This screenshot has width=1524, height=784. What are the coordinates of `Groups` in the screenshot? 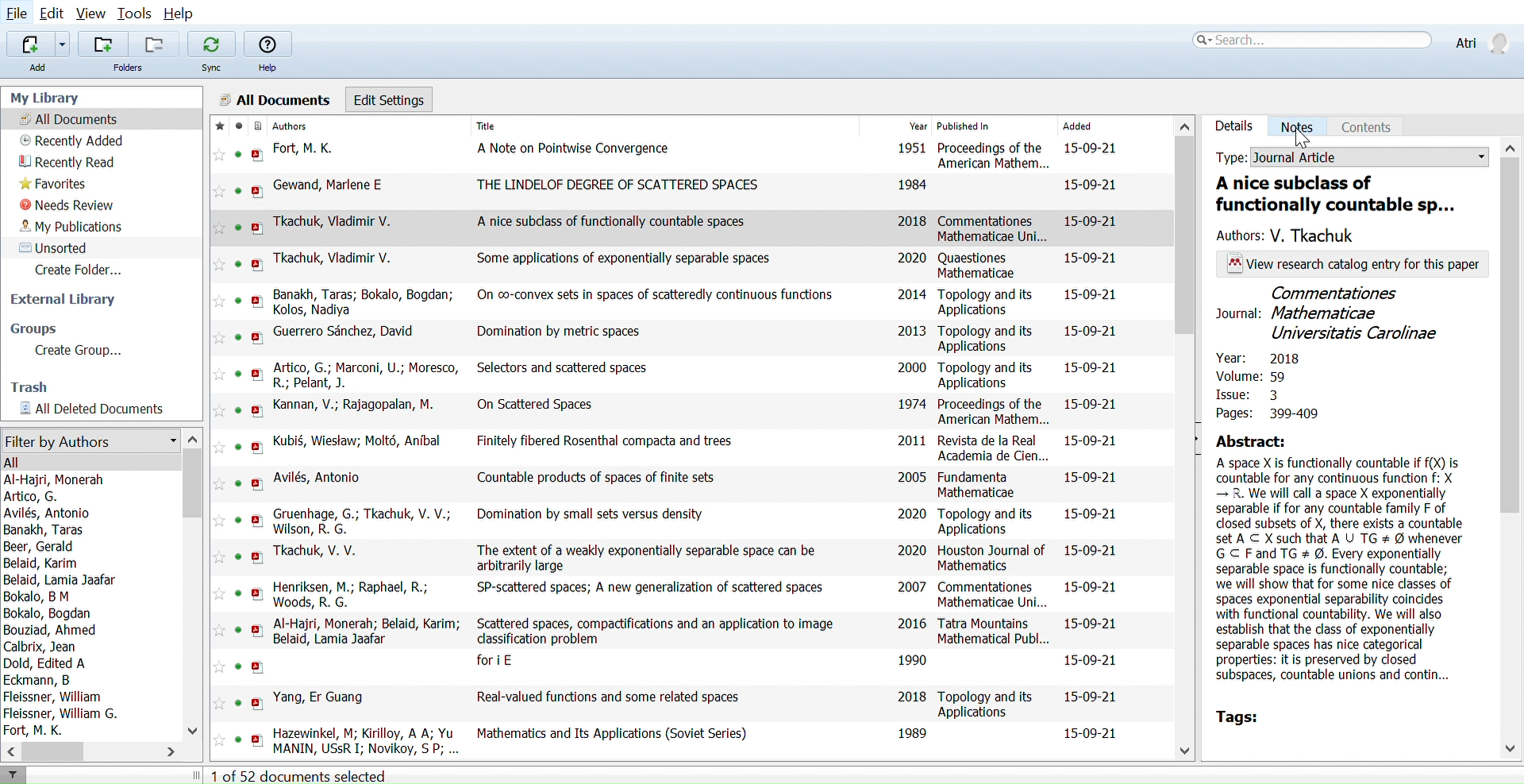 It's located at (33, 329).